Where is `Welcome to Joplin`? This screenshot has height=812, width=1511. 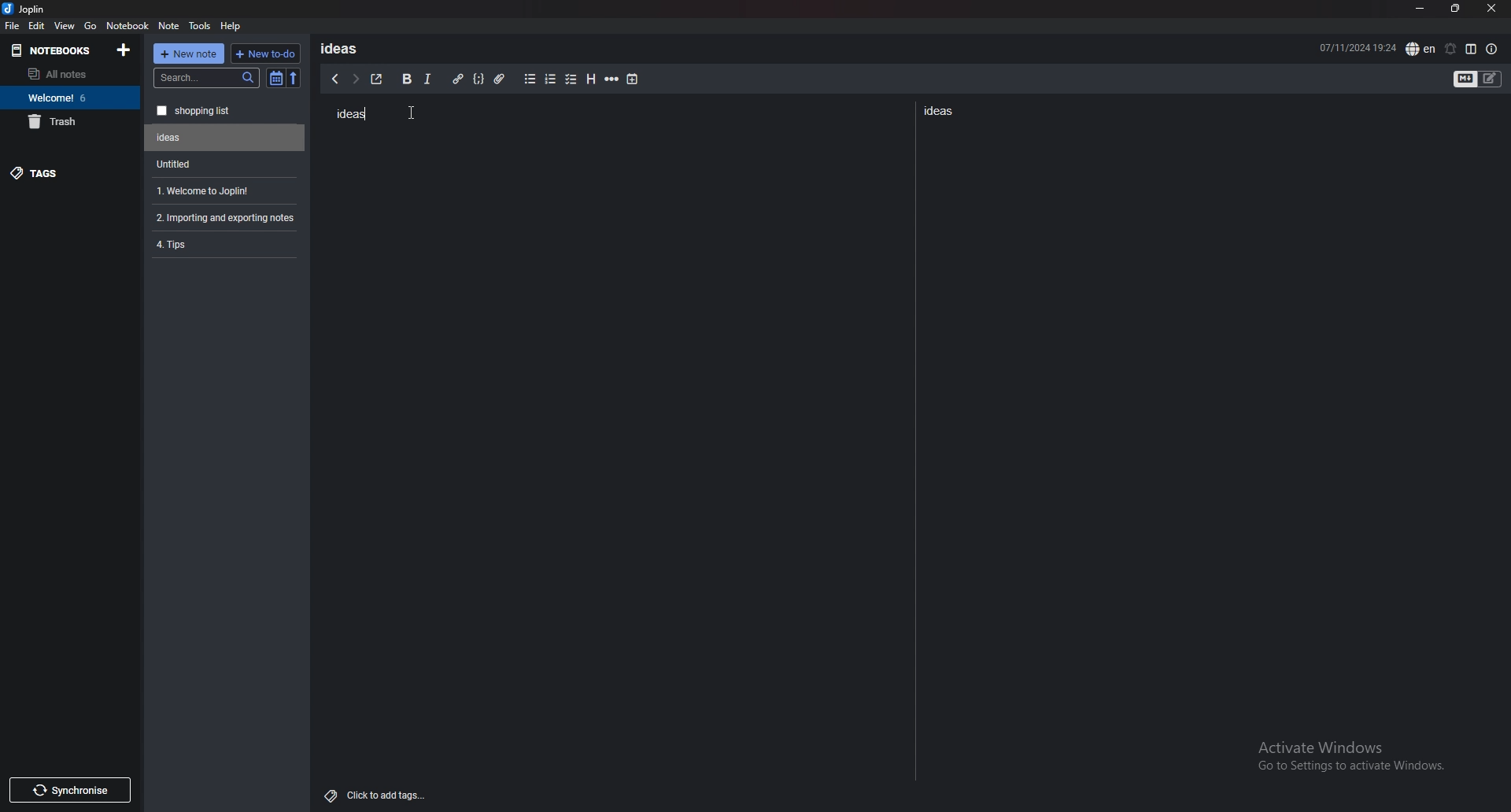 Welcome to Joplin is located at coordinates (222, 190).